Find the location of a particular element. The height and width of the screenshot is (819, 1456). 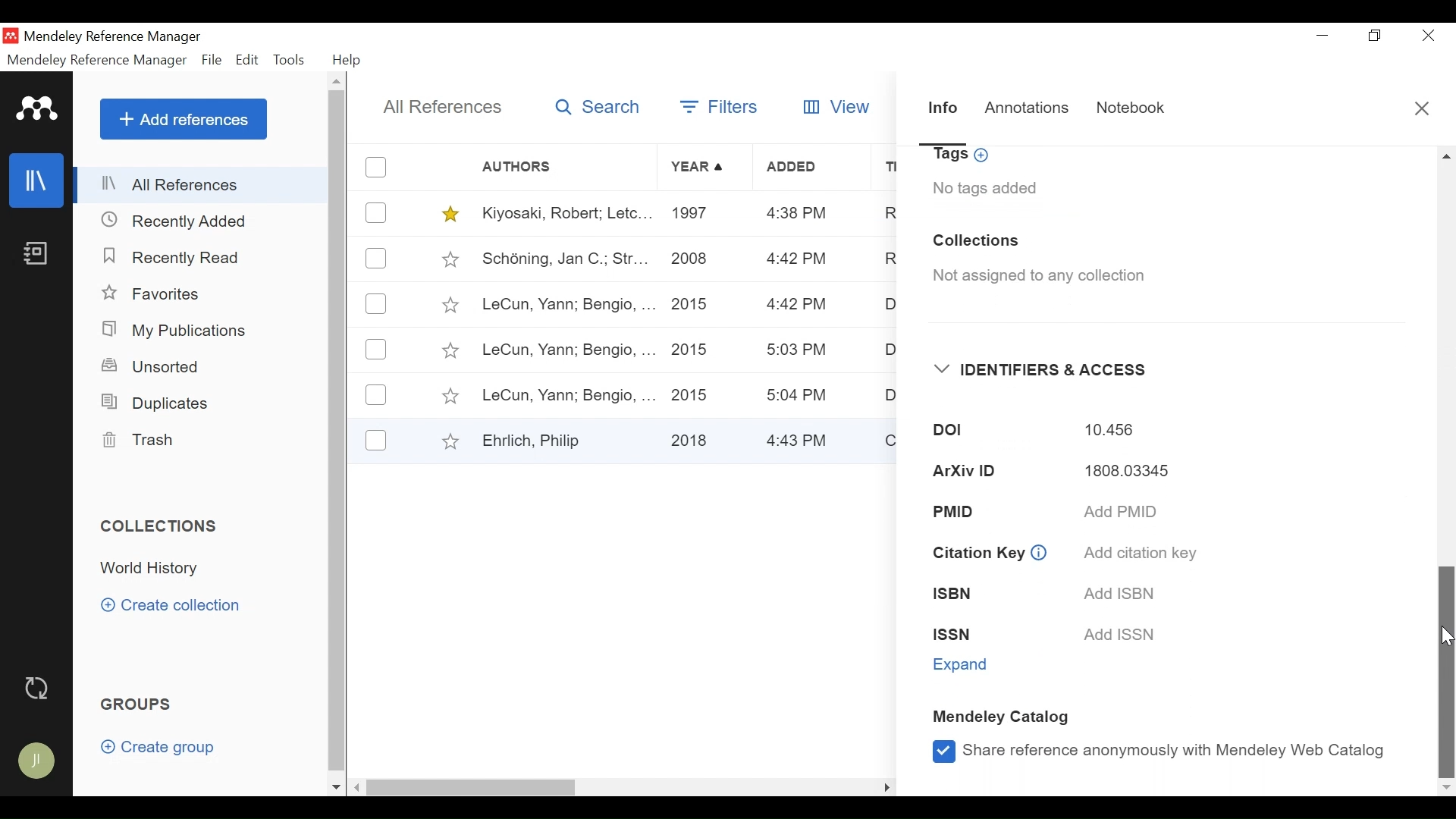

Favorites is located at coordinates (153, 293).